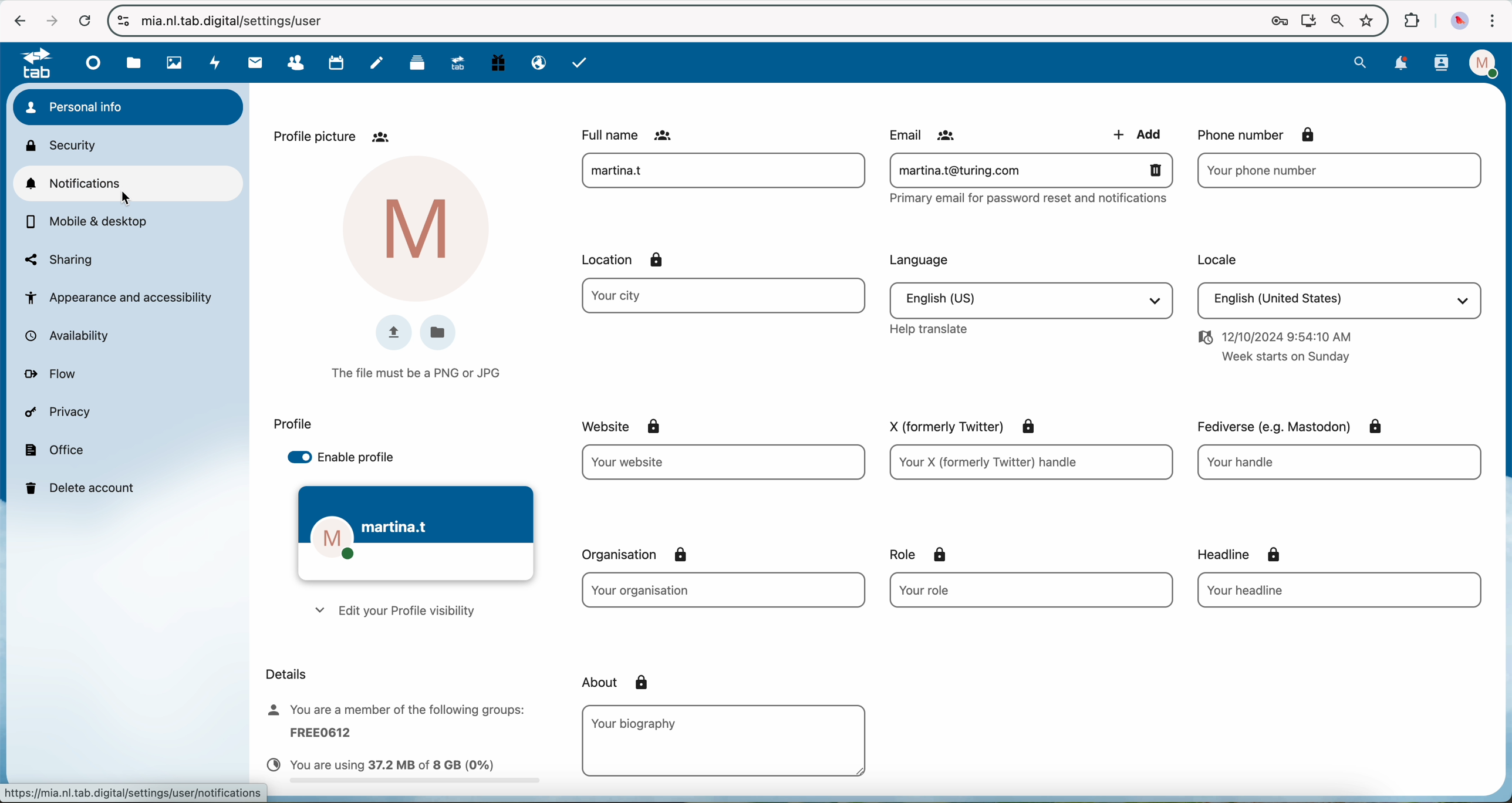 This screenshot has height=803, width=1512. What do you see at coordinates (922, 554) in the screenshot?
I see `role` at bounding box center [922, 554].